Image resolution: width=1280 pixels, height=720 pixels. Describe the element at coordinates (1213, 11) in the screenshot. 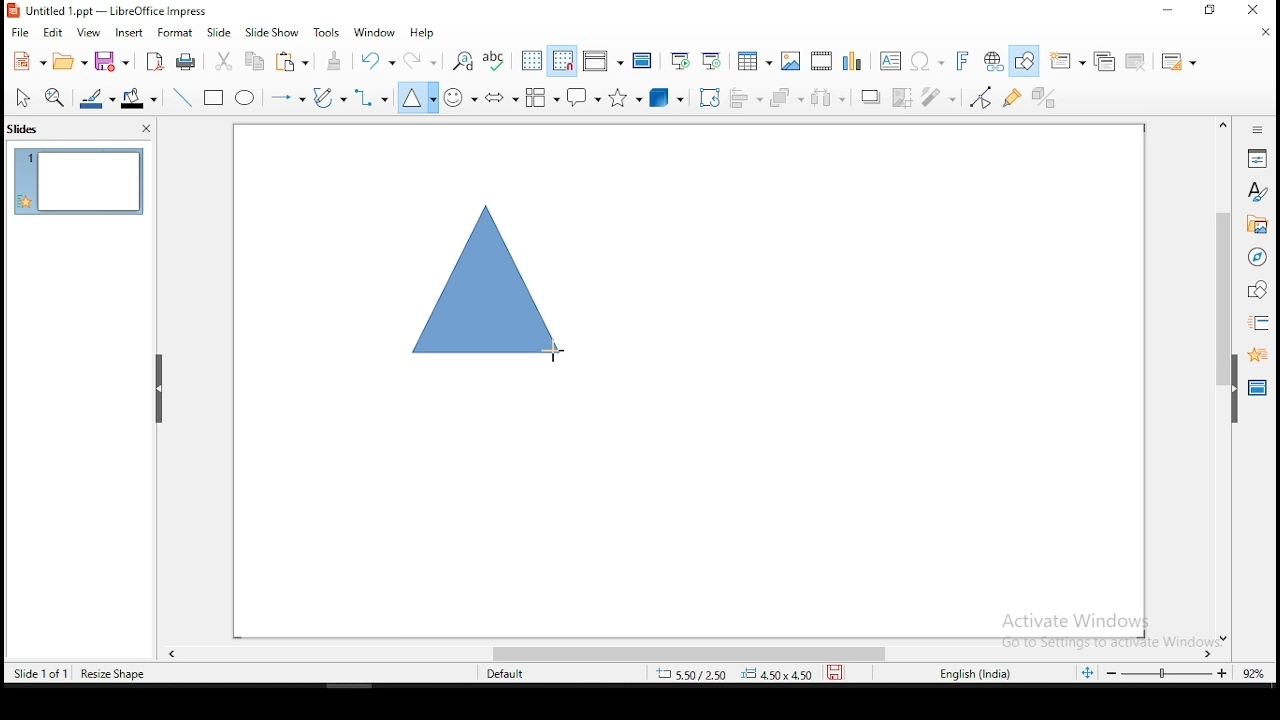

I see `maximize` at that location.